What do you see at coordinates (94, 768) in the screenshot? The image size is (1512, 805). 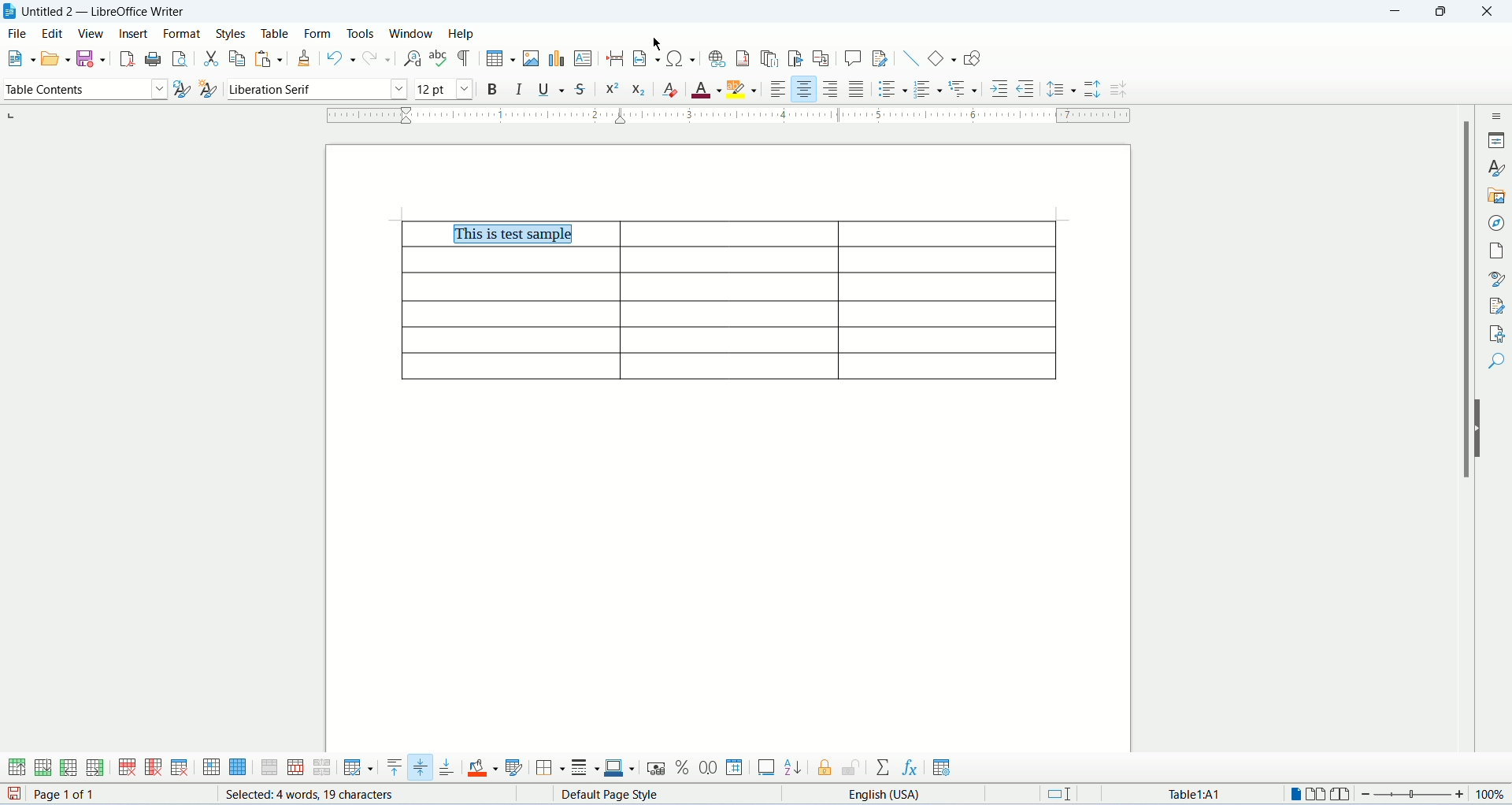 I see `inser columns after` at bounding box center [94, 768].